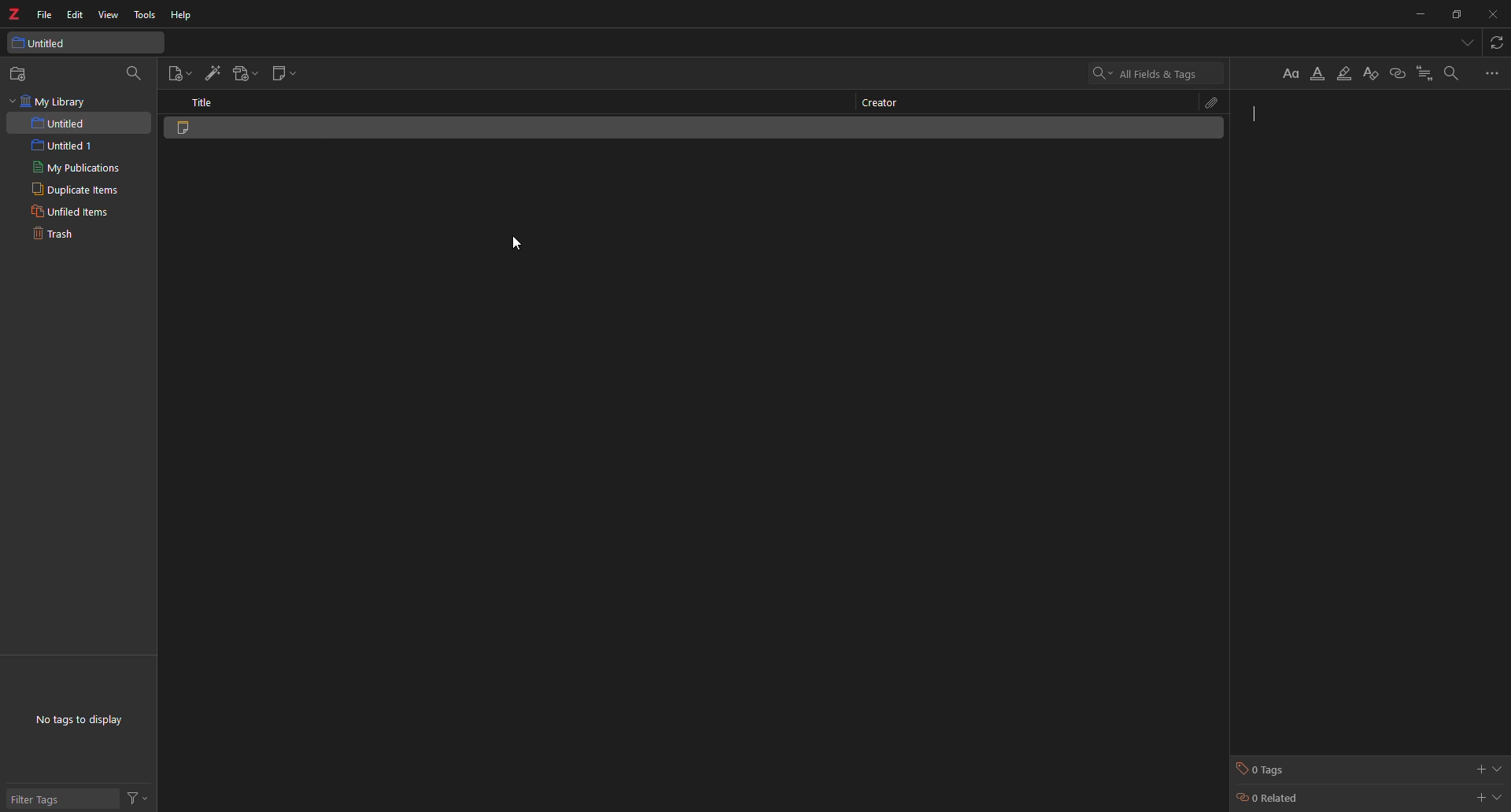  What do you see at coordinates (1456, 13) in the screenshot?
I see `maximize` at bounding box center [1456, 13].